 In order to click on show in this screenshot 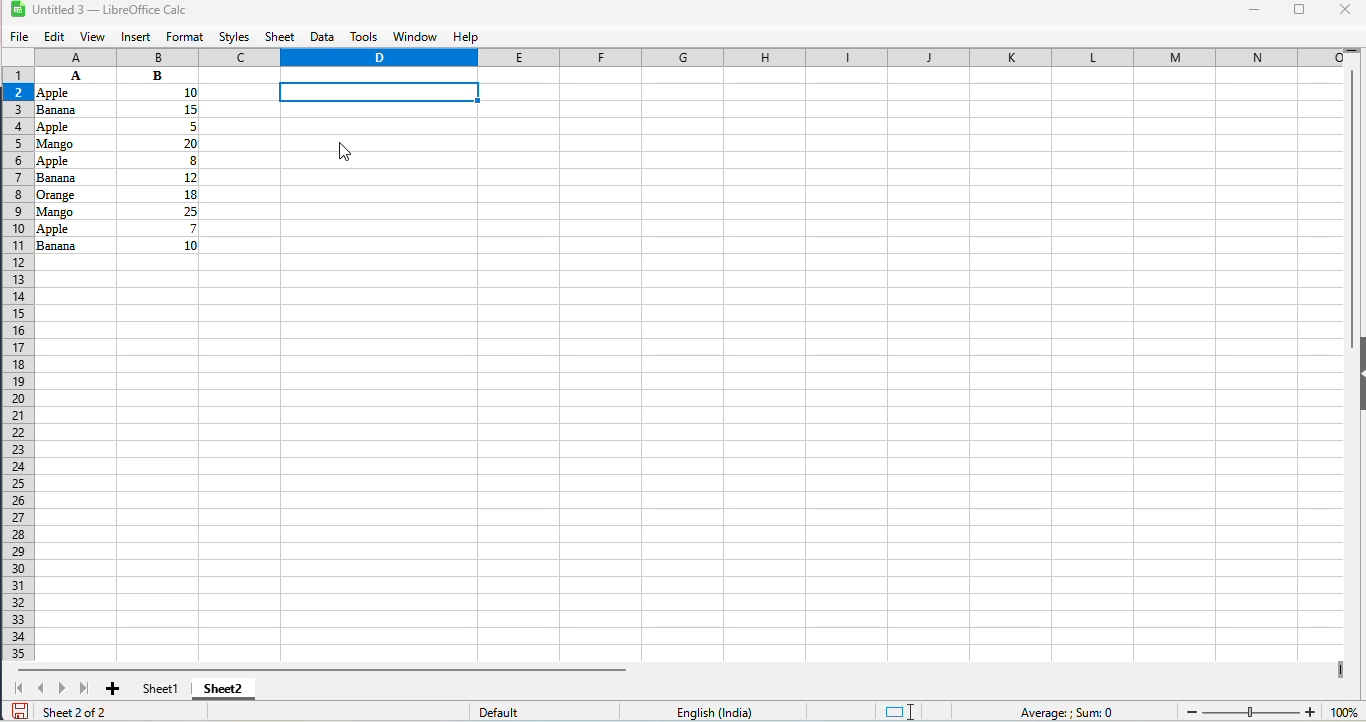, I will do `click(1357, 374)`.